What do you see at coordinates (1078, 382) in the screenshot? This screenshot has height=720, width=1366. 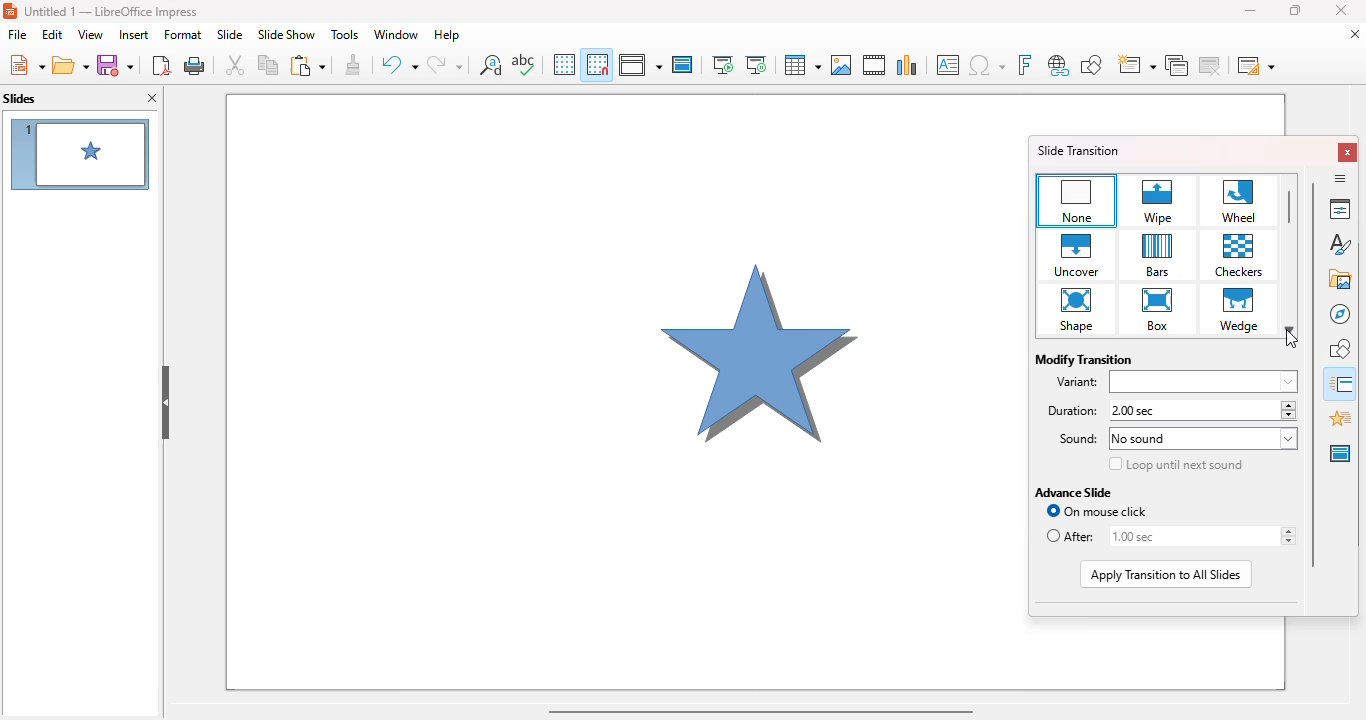 I see `variant` at bounding box center [1078, 382].